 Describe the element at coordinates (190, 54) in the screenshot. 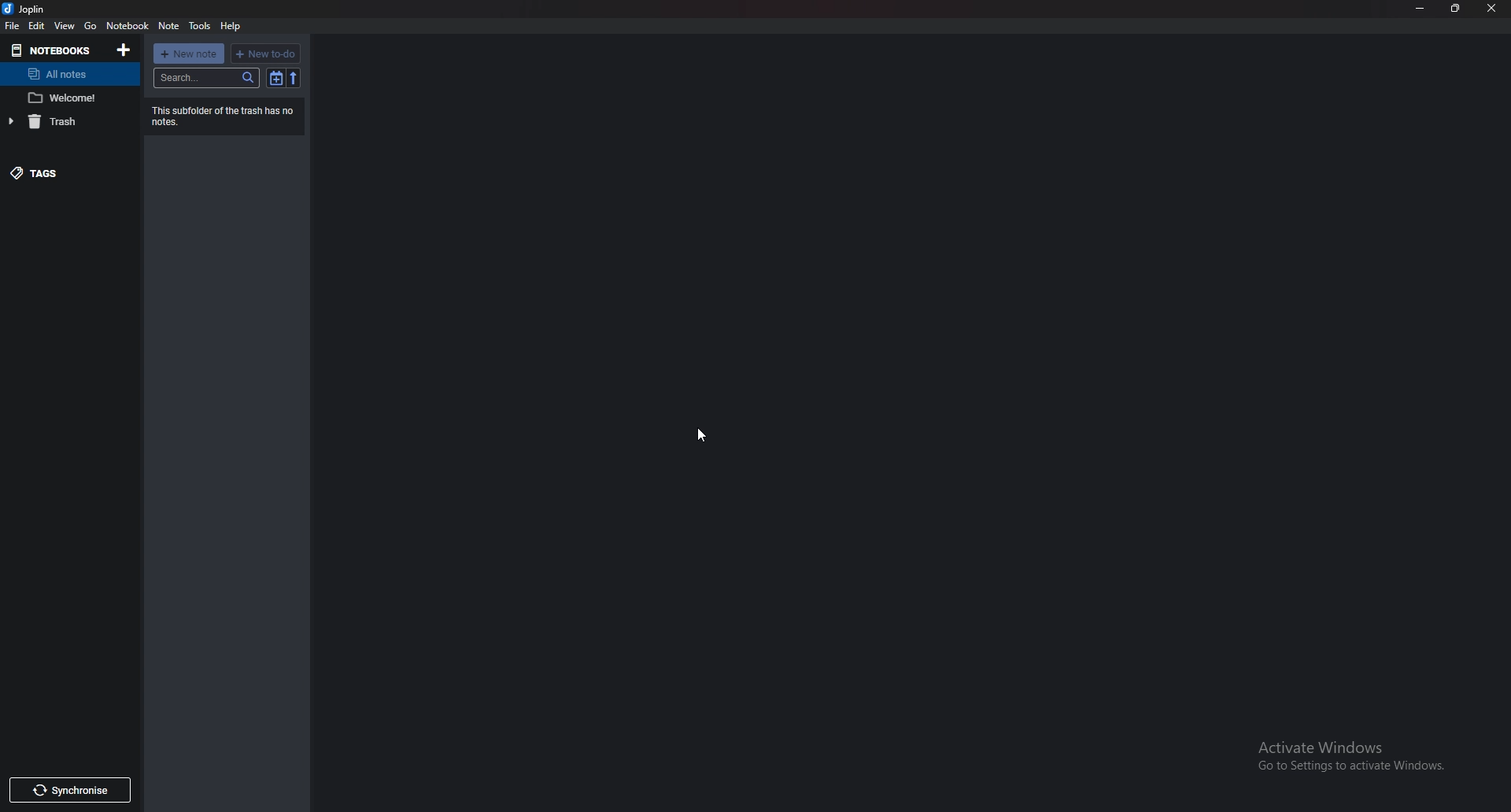

I see `new note` at that location.